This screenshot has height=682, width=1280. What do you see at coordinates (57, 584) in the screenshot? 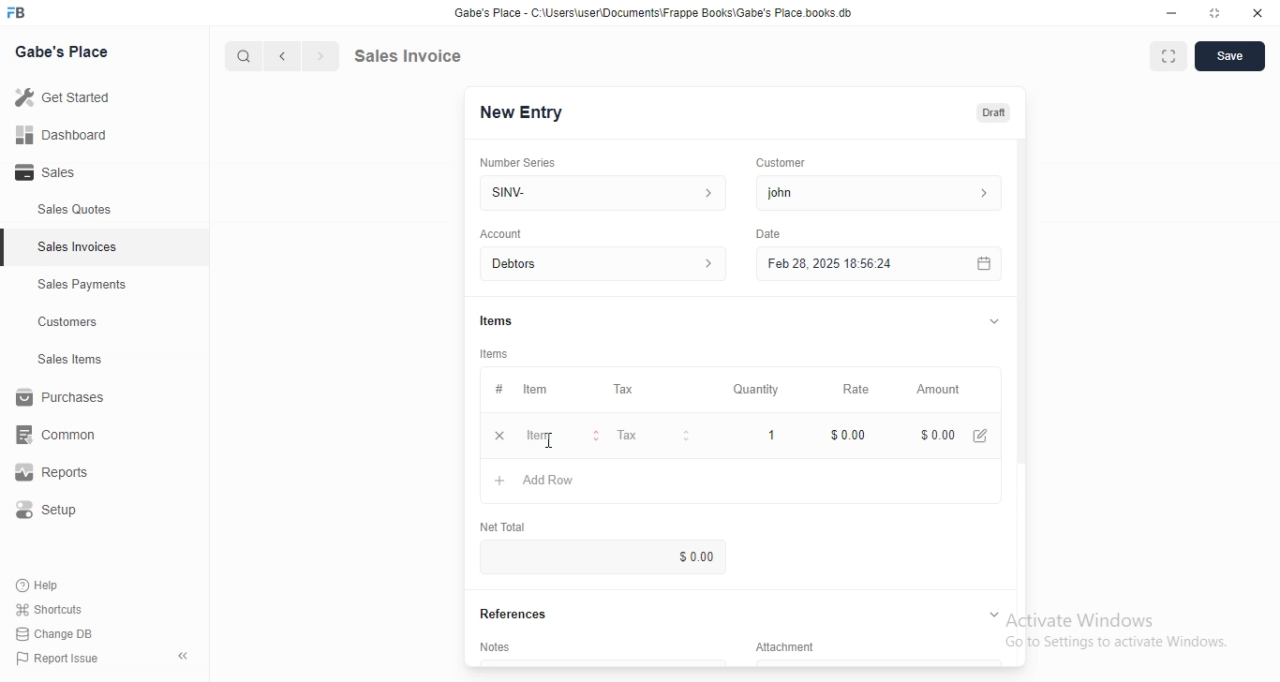
I see `Help` at bounding box center [57, 584].